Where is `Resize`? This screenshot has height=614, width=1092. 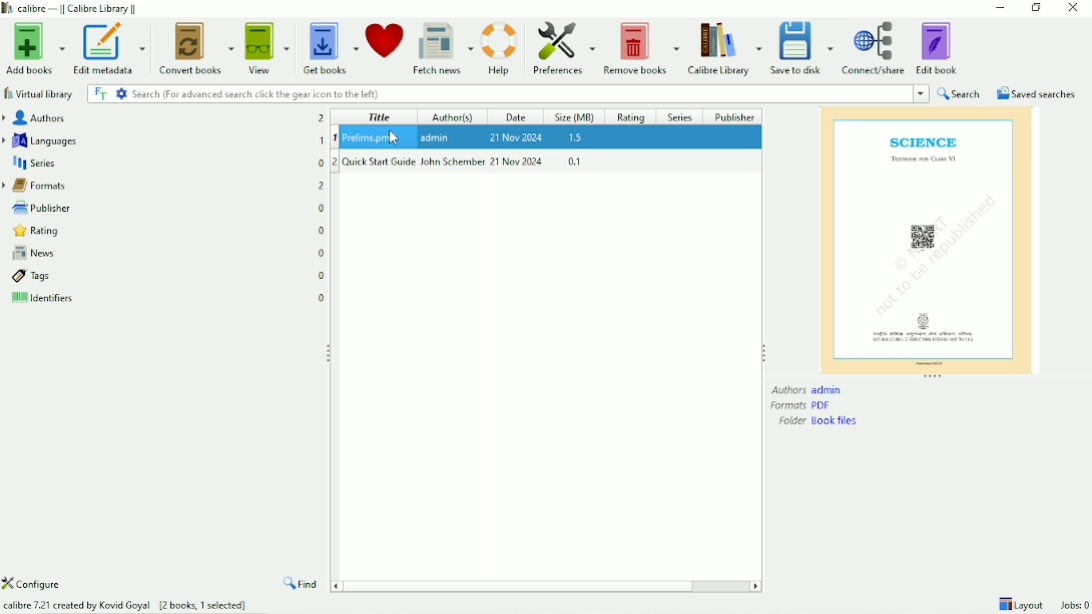
Resize is located at coordinates (329, 351).